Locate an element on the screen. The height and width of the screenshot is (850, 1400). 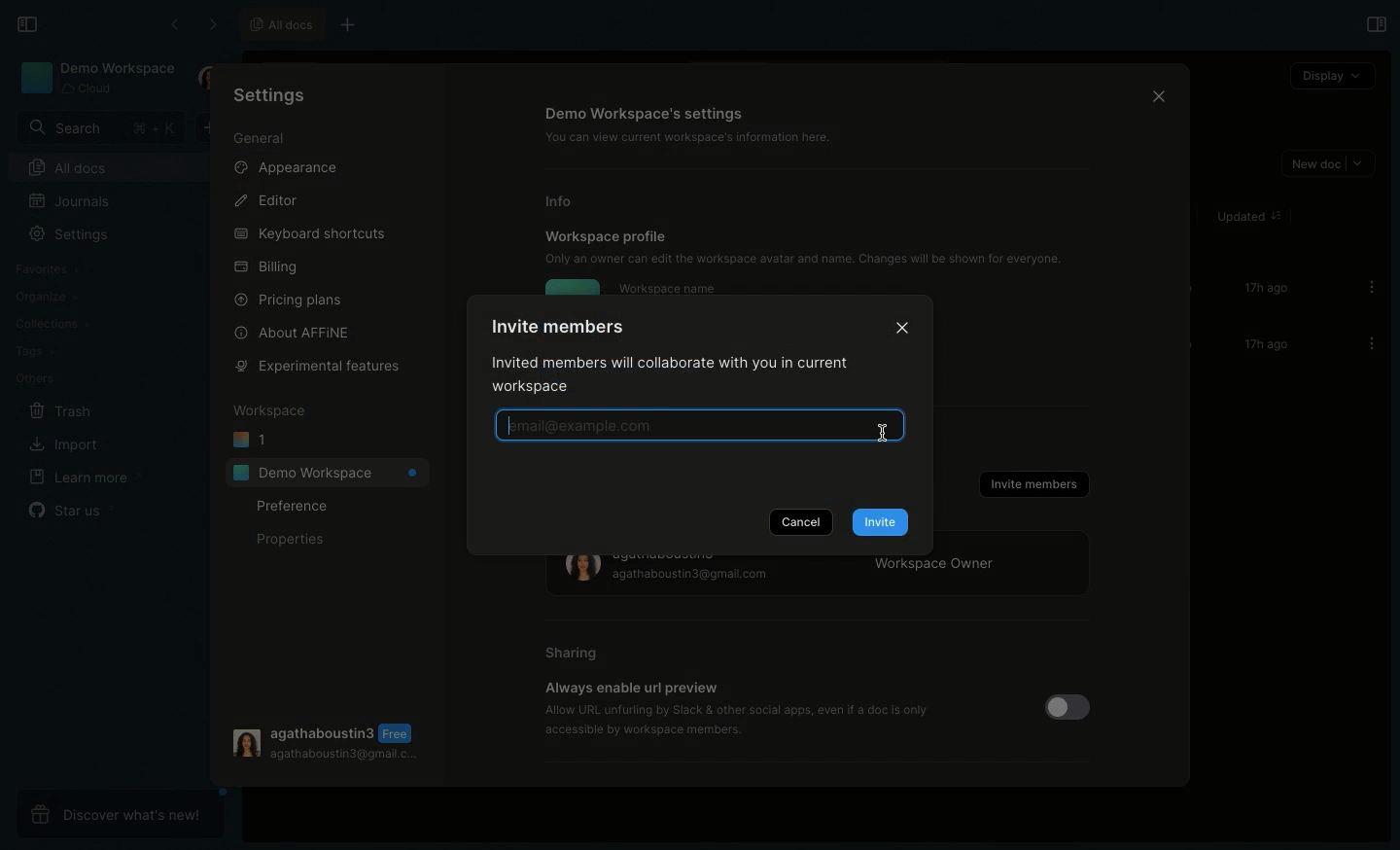
Updated is located at coordinates (1246, 217).